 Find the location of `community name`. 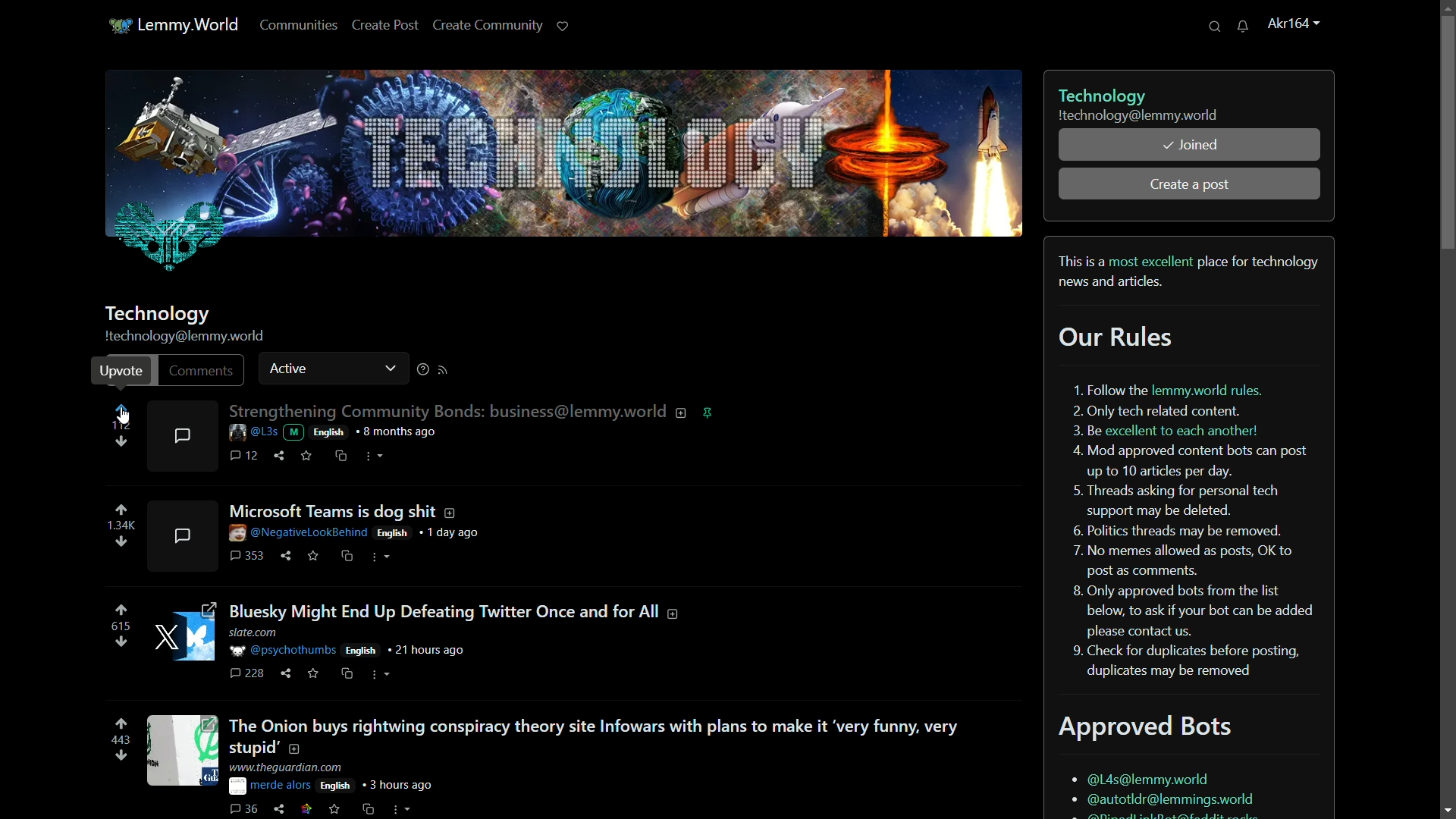

community name is located at coordinates (160, 315).